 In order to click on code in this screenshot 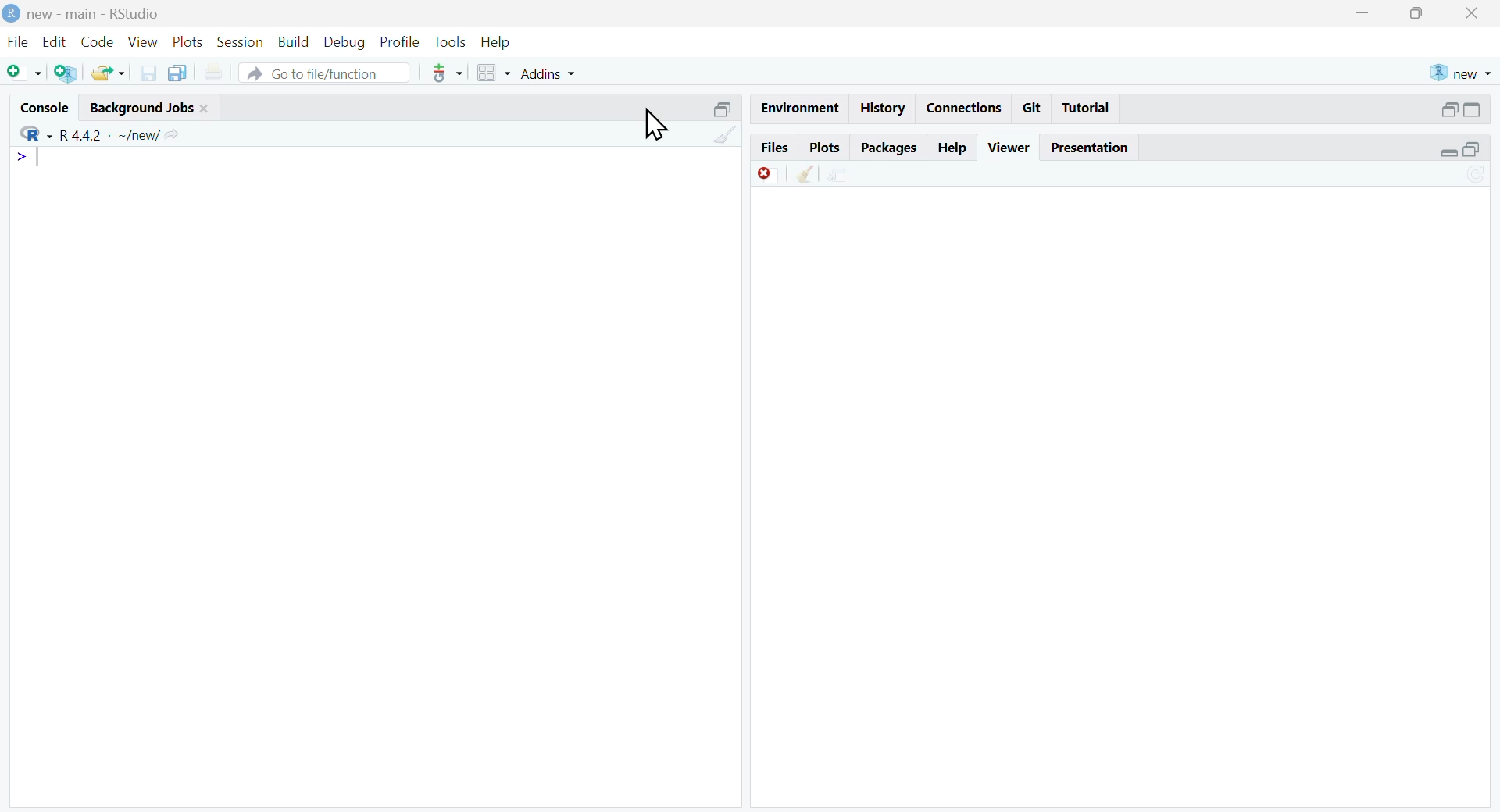, I will do `click(97, 42)`.